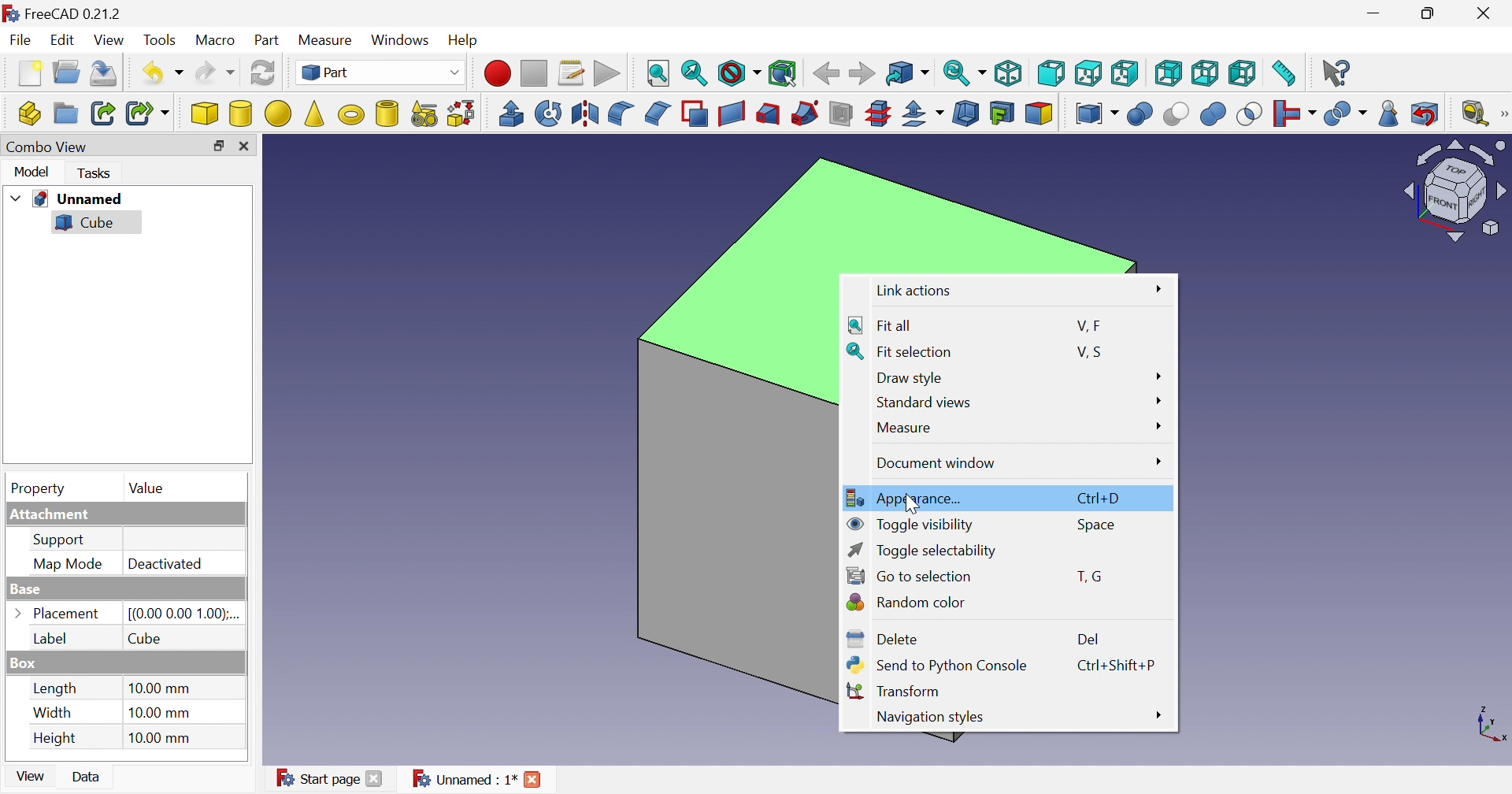  Describe the element at coordinates (28, 662) in the screenshot. I see `Box` at that location.